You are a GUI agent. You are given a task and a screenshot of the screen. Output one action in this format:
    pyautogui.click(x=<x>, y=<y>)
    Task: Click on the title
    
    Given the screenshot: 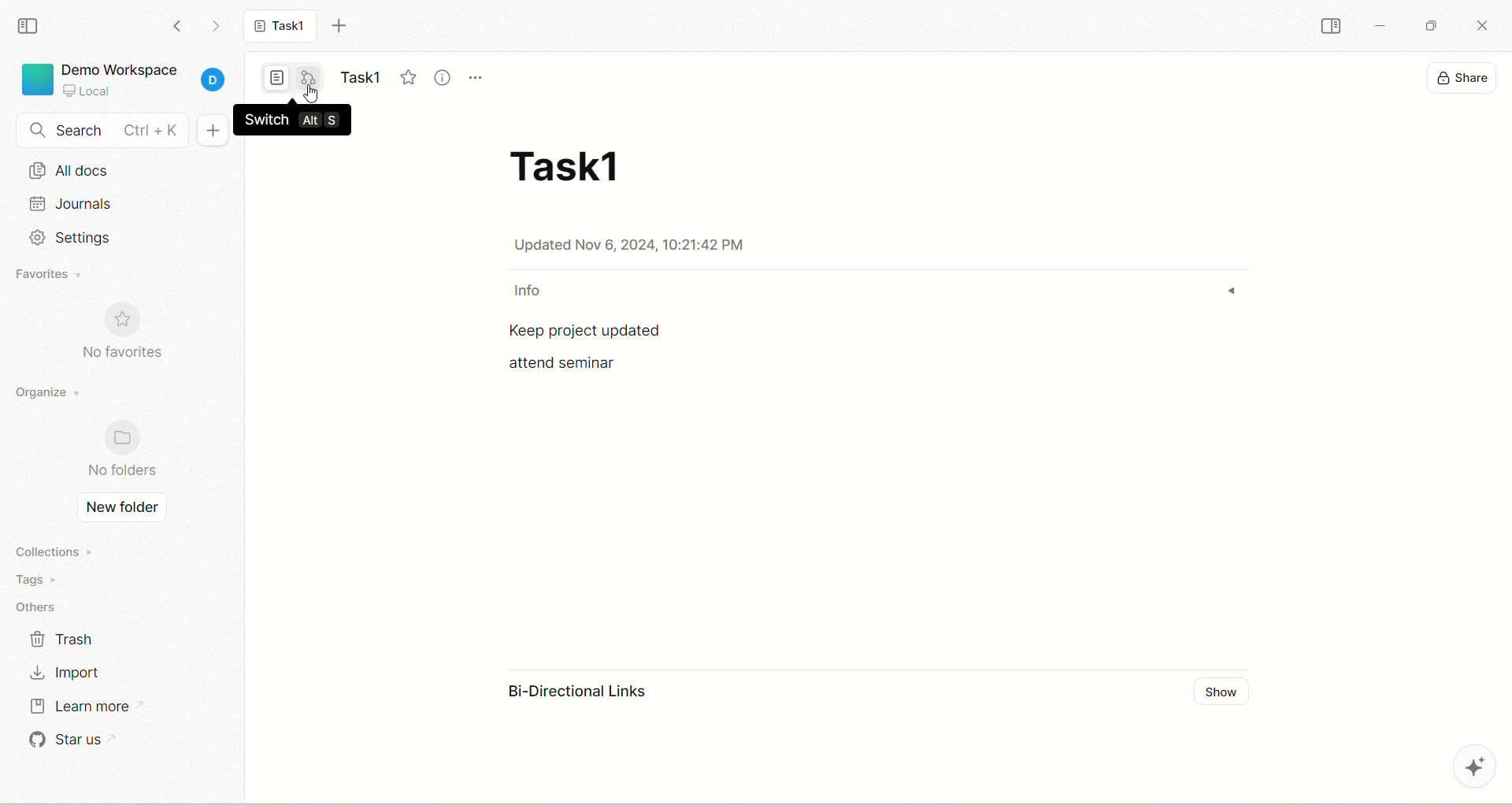 What is the action you would take?
    pyautogui.click(x=360, y=74)
    